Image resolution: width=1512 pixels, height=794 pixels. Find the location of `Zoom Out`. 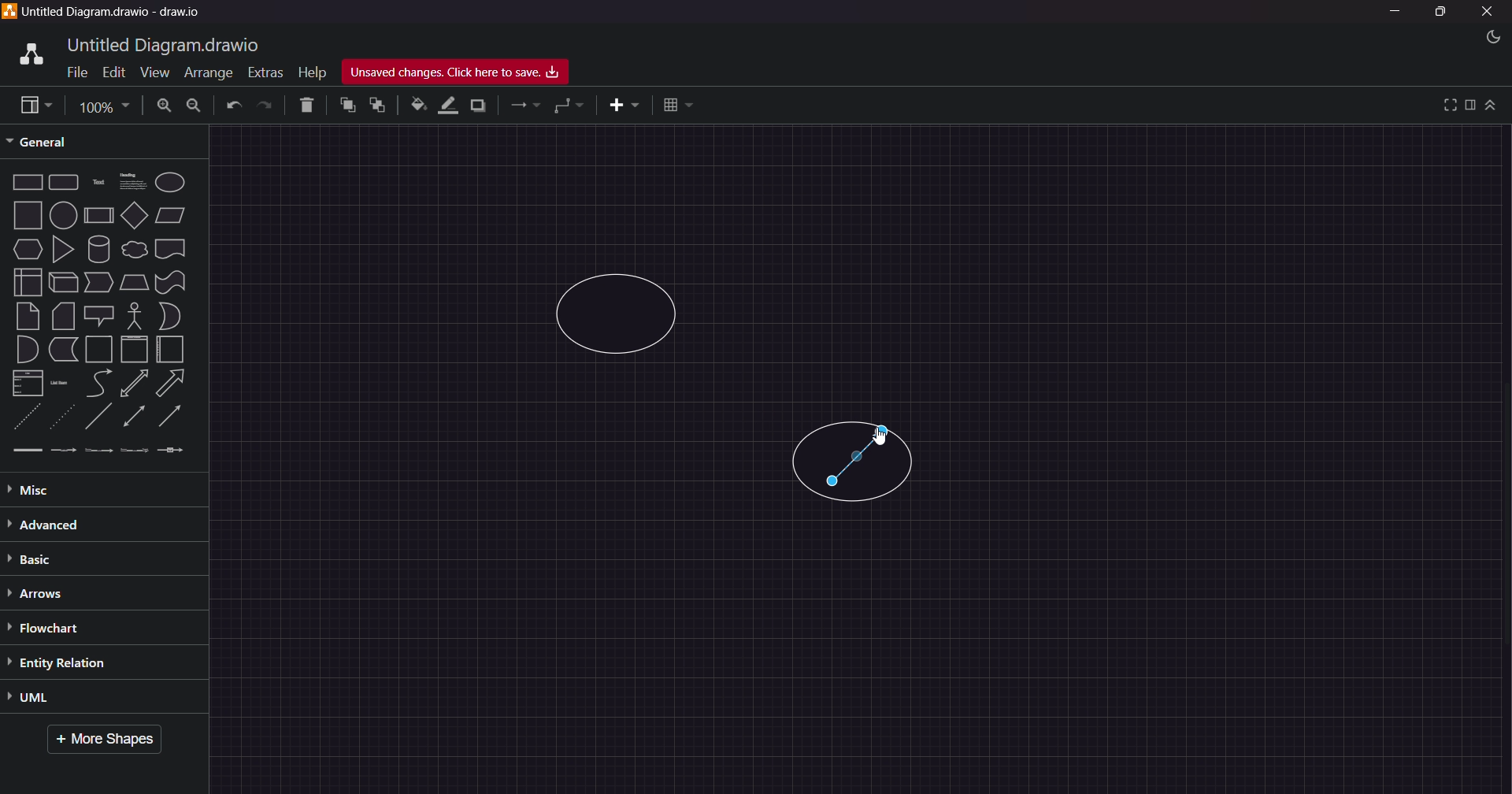

Zoom Out is located at coordinates (195, 107).